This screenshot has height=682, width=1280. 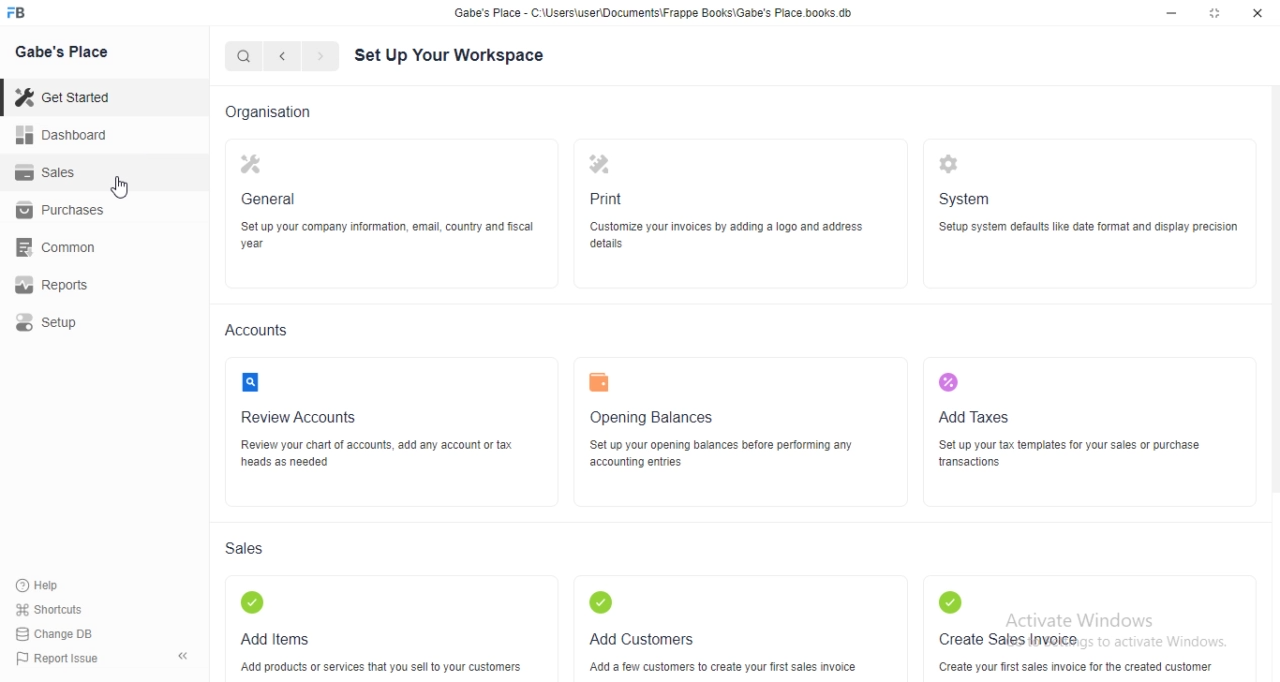 What do you see at coordinates (90, 53) in the screenshot?
I see `Gabe's Place` at bounding box center [90, 53].